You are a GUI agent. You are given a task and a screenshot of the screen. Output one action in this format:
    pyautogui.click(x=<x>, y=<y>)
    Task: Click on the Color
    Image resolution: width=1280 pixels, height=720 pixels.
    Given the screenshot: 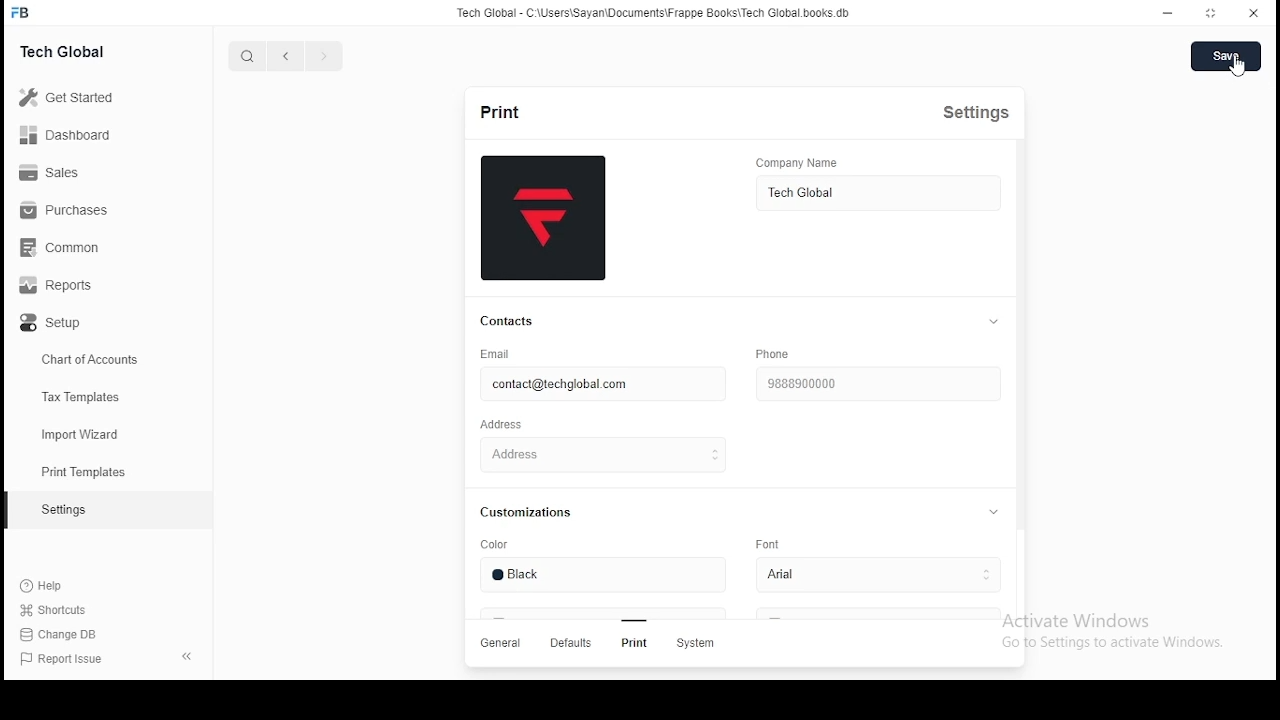 What is the action you would take?
    pyautogui.click(x=504, y=546)
    